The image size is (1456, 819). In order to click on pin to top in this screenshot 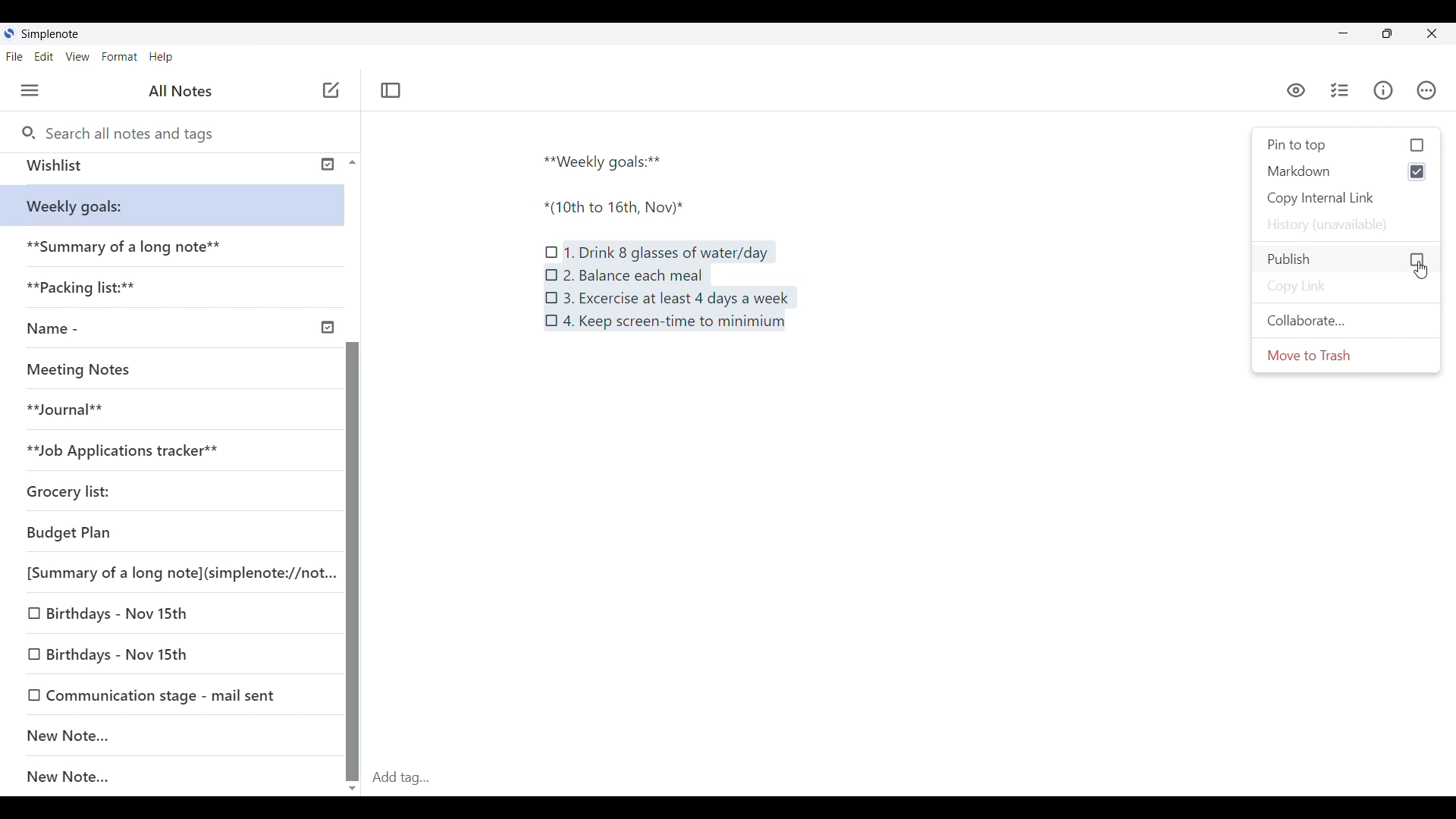, I will do `click(1345, 145)`.